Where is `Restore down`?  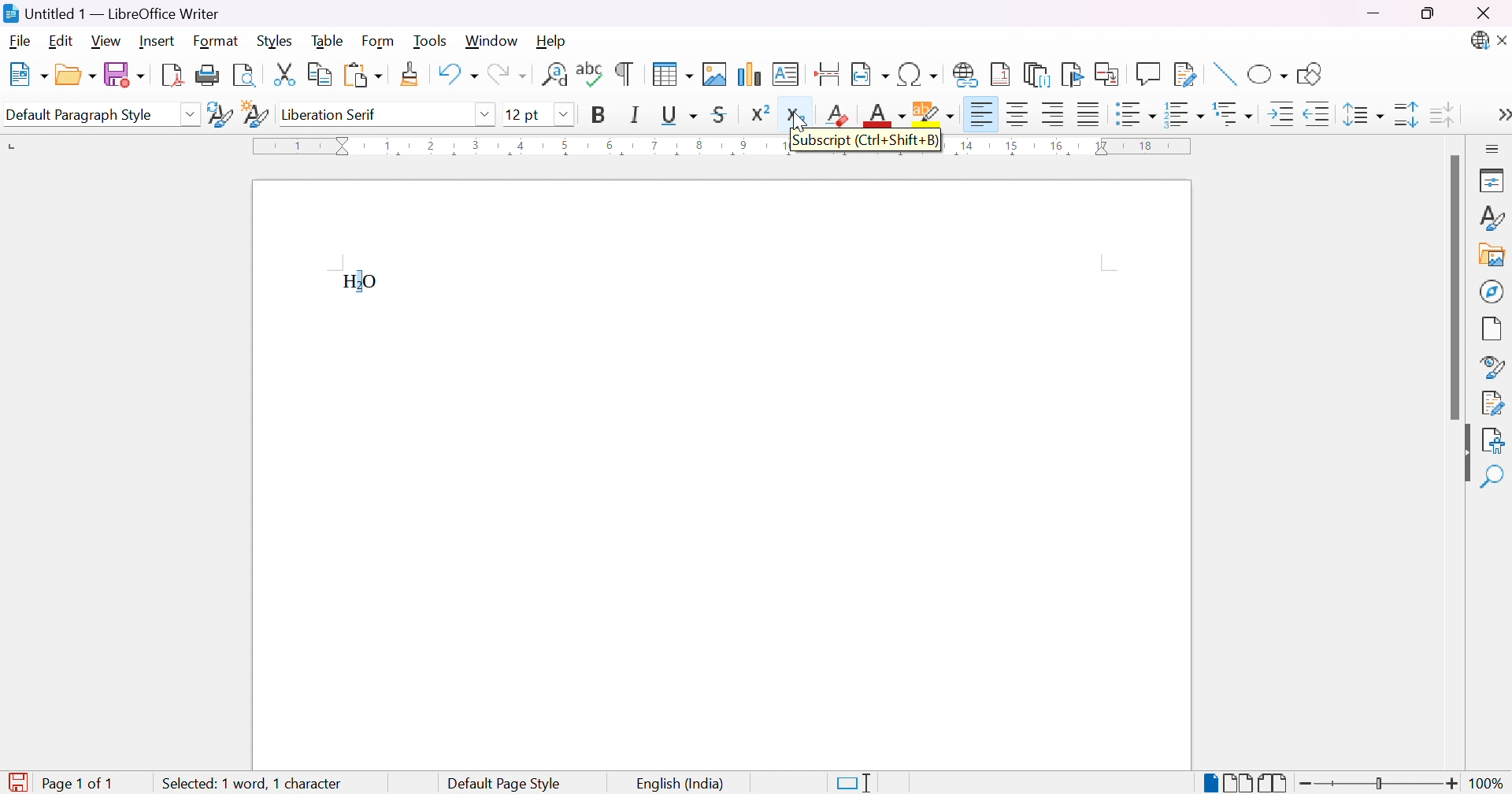
Restore down is located at coordinates (1428, 15).